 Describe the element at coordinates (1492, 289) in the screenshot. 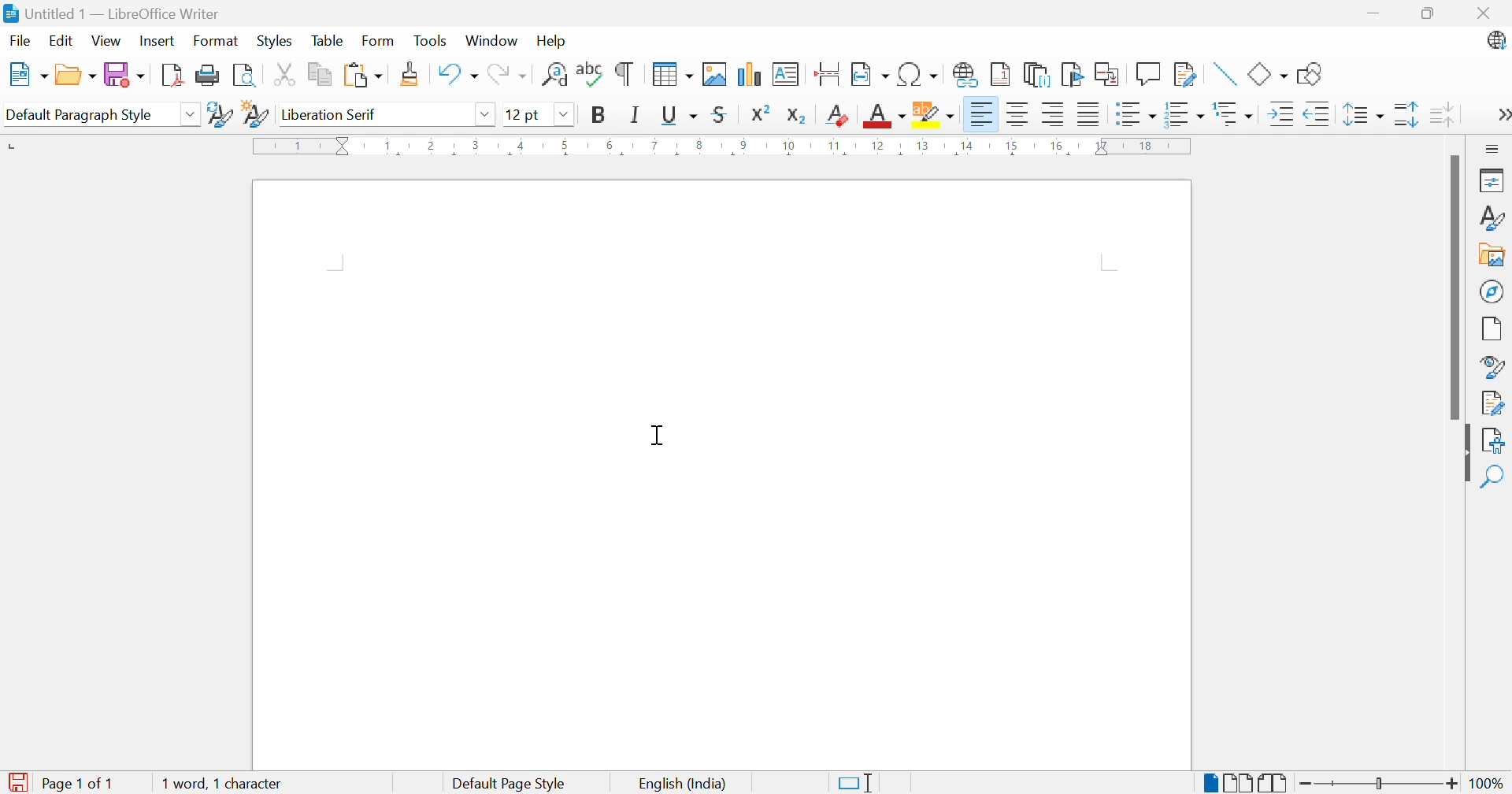

I see `Navigator` at that location.